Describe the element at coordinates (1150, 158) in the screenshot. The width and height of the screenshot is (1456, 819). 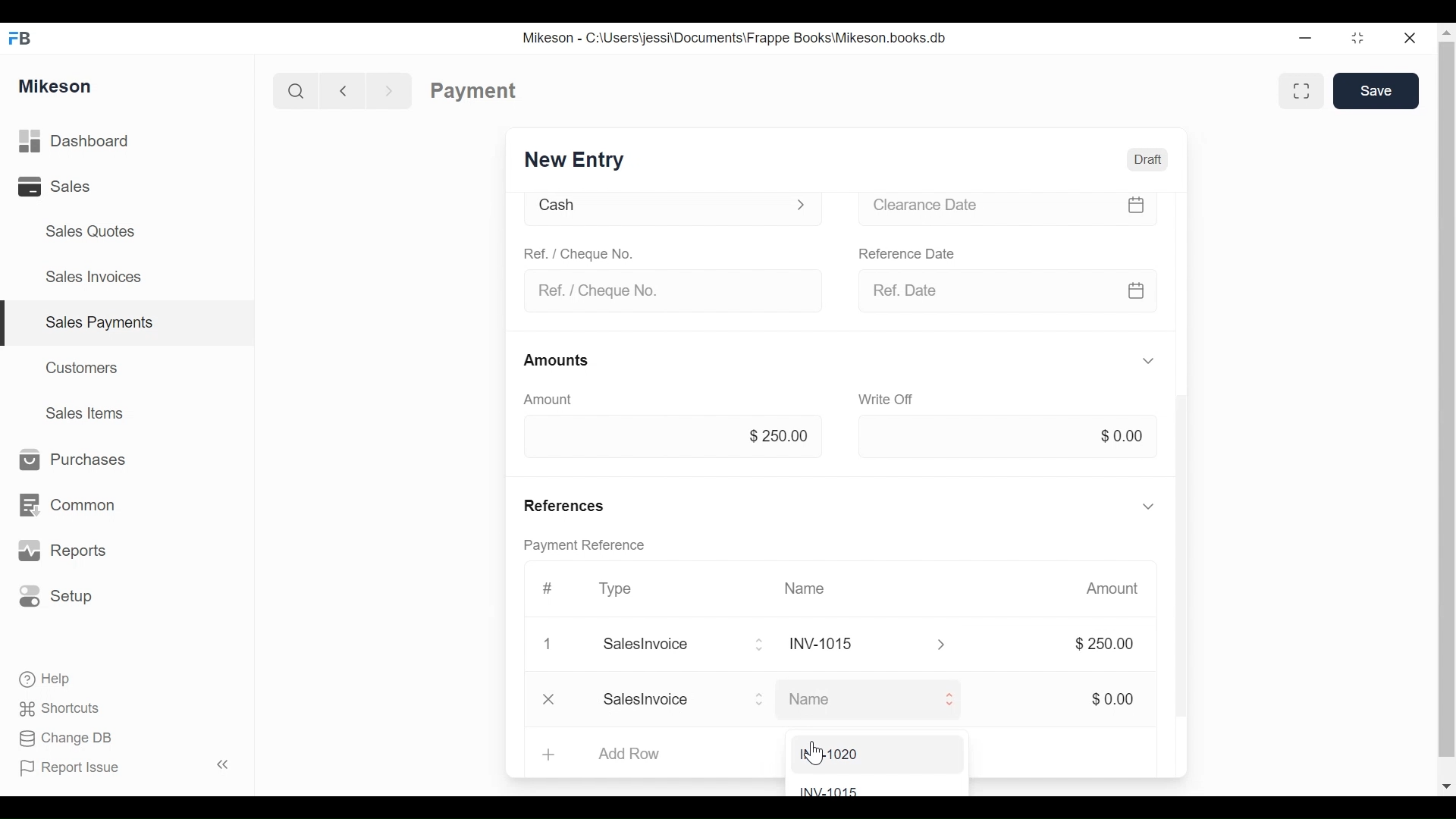
I see `Draft` at that location.